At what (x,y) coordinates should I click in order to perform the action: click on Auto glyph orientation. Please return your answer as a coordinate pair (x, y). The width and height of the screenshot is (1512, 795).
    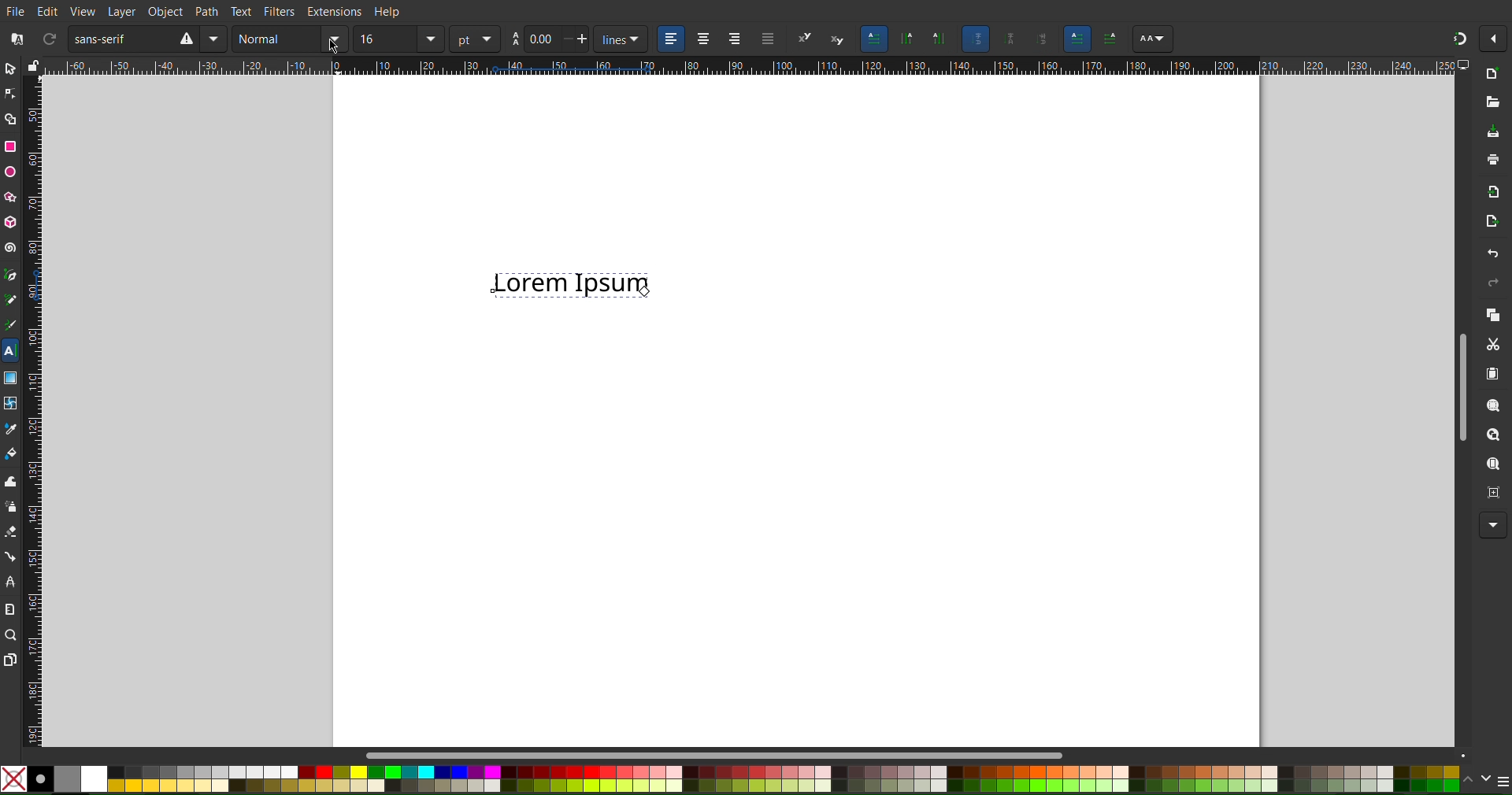
    Looking at the image, I should click on (975, 39).